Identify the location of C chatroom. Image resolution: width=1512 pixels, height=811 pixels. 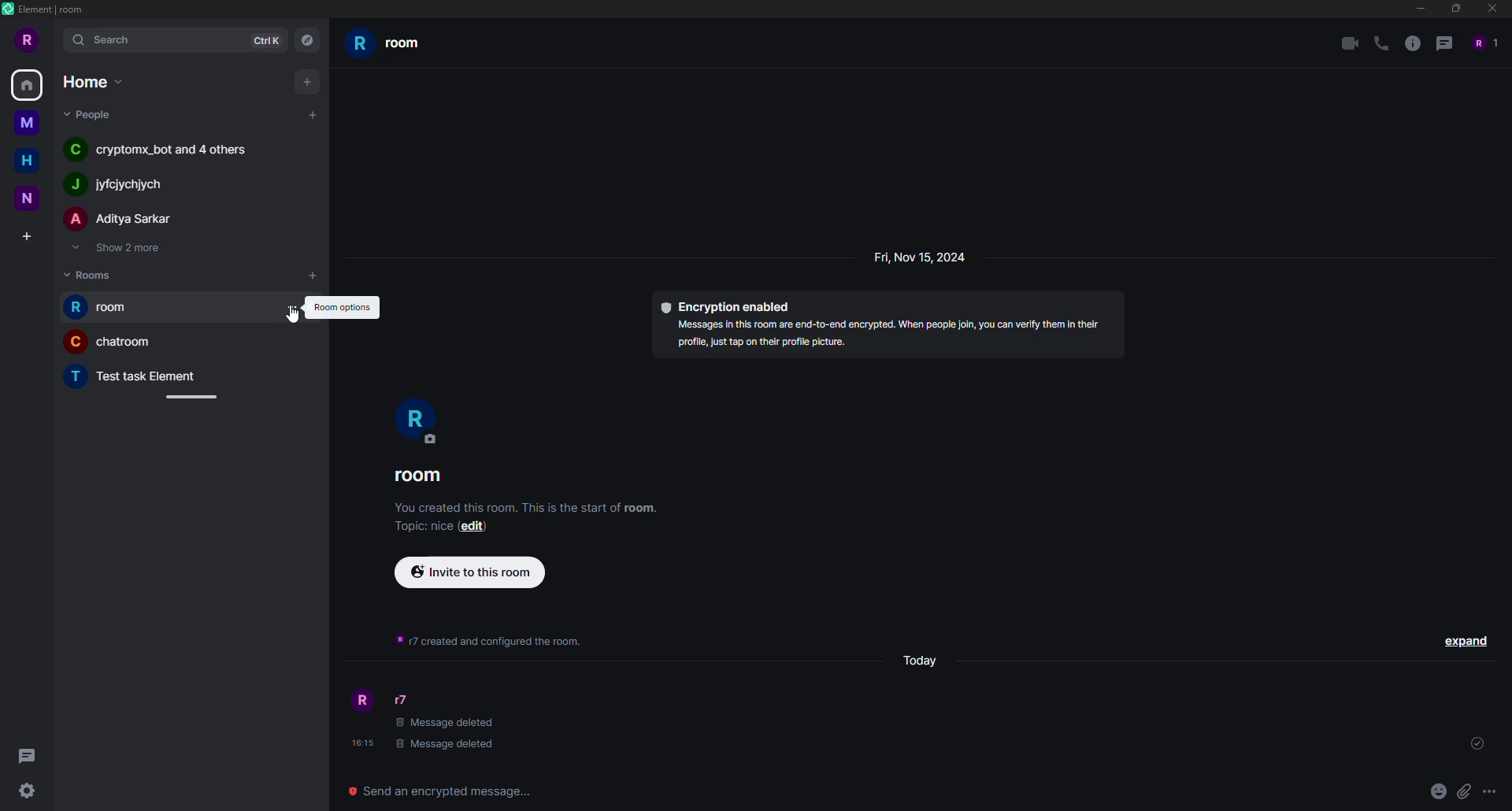
(125, 343).